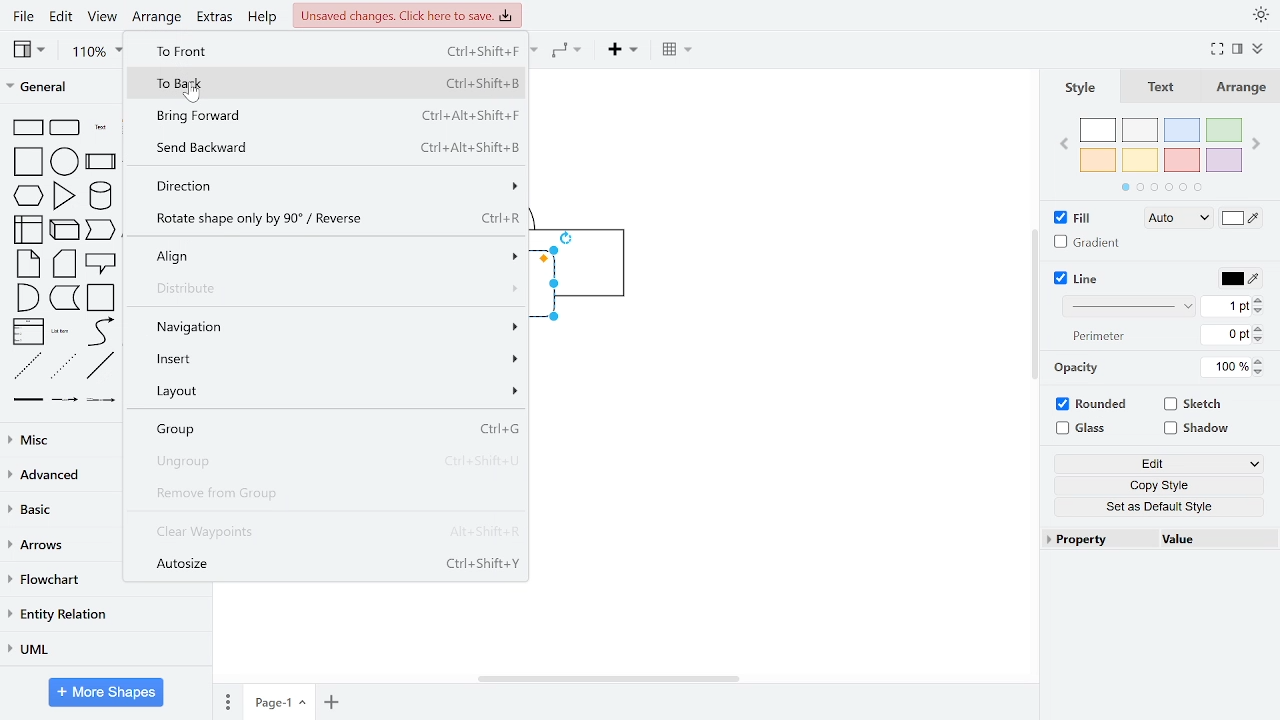 The image size is (1280, 720). I want to click on to front, so click(330, 50).